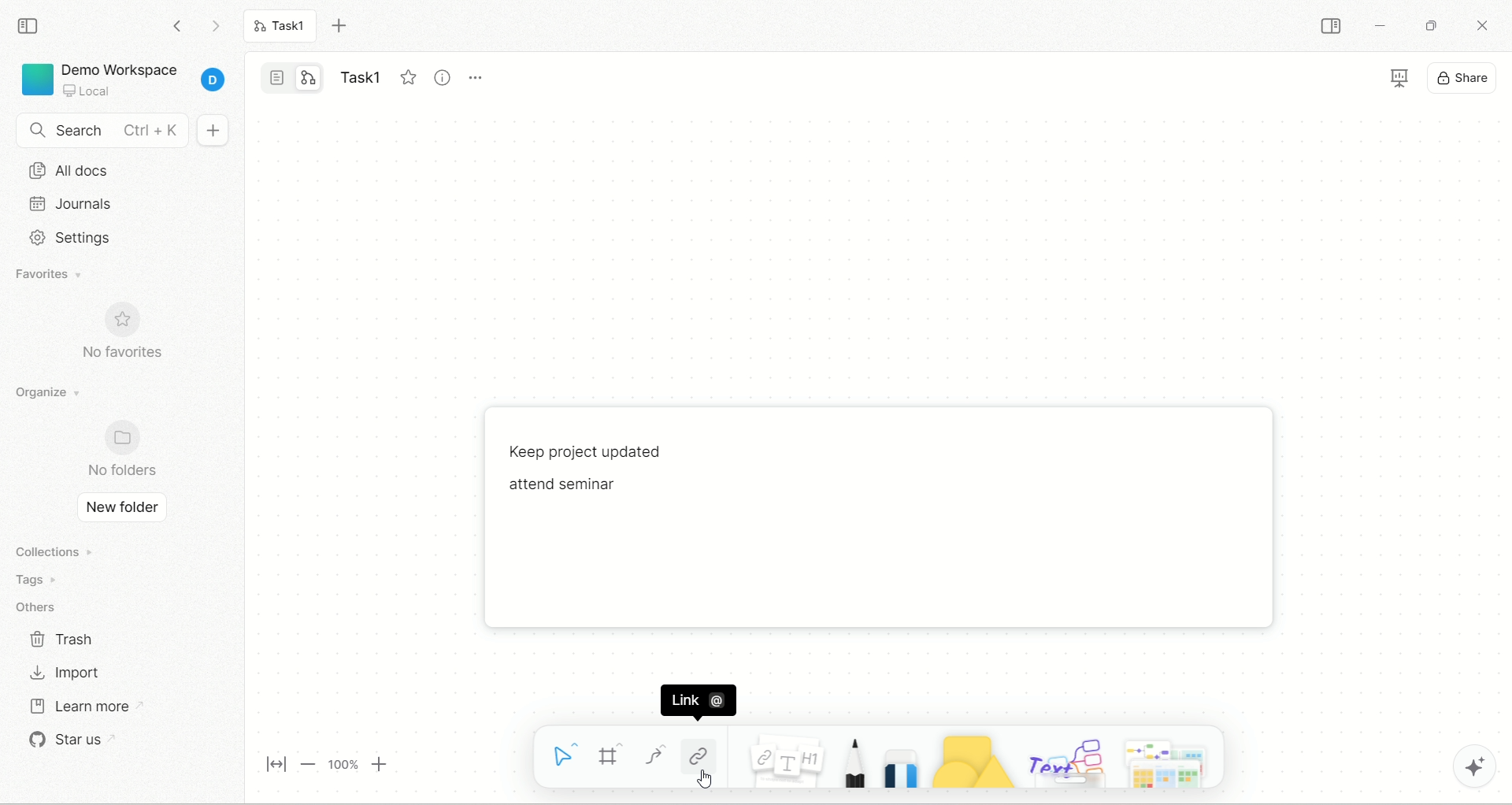 This screenshot has width=1512, height=805. Describe the element at coordinates (654, 755) in the screenshot. I see `curve` at that location.